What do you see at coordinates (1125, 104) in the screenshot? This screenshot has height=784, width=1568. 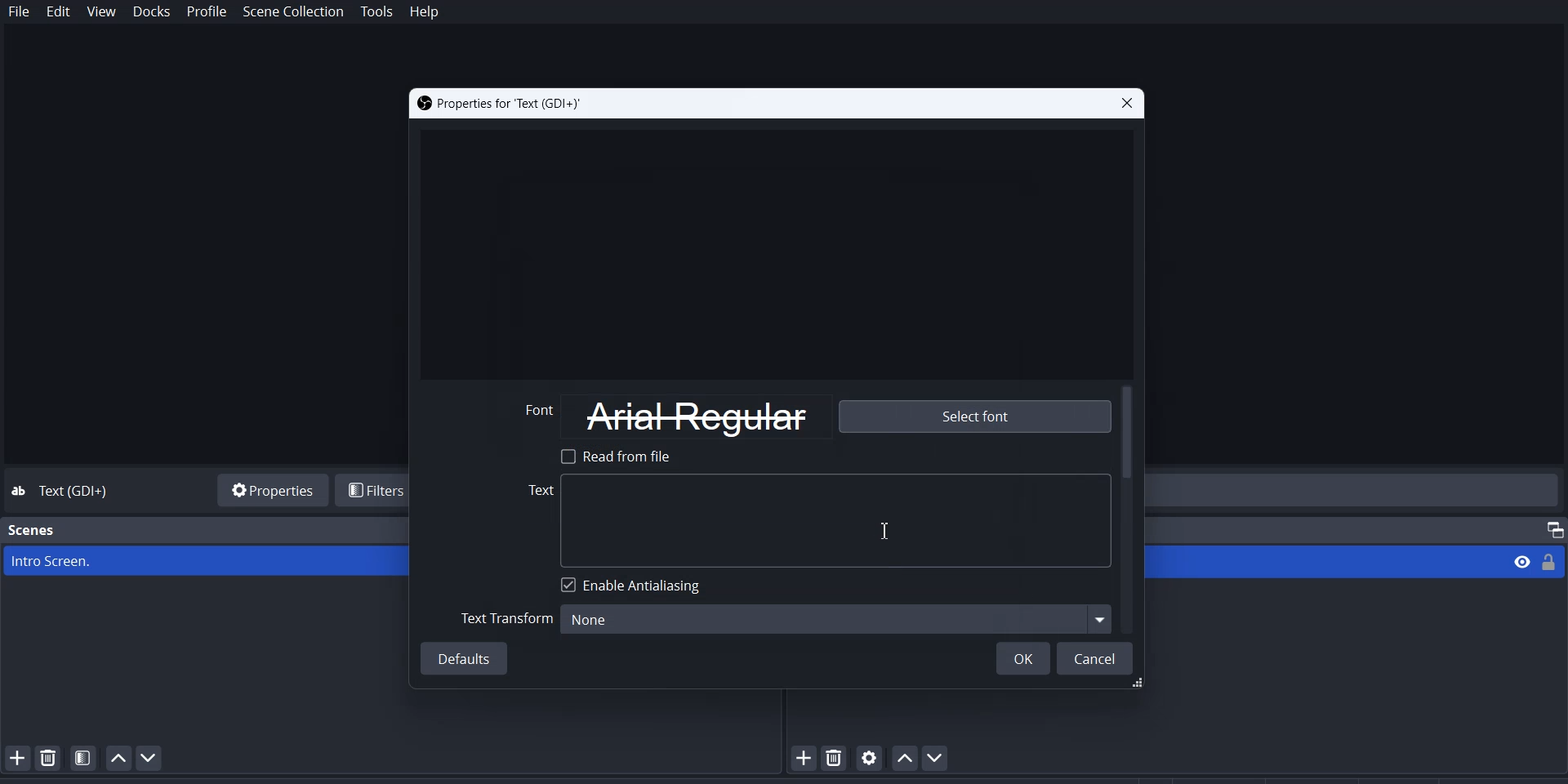 I see `Close` at bounding box center [1125, 104].